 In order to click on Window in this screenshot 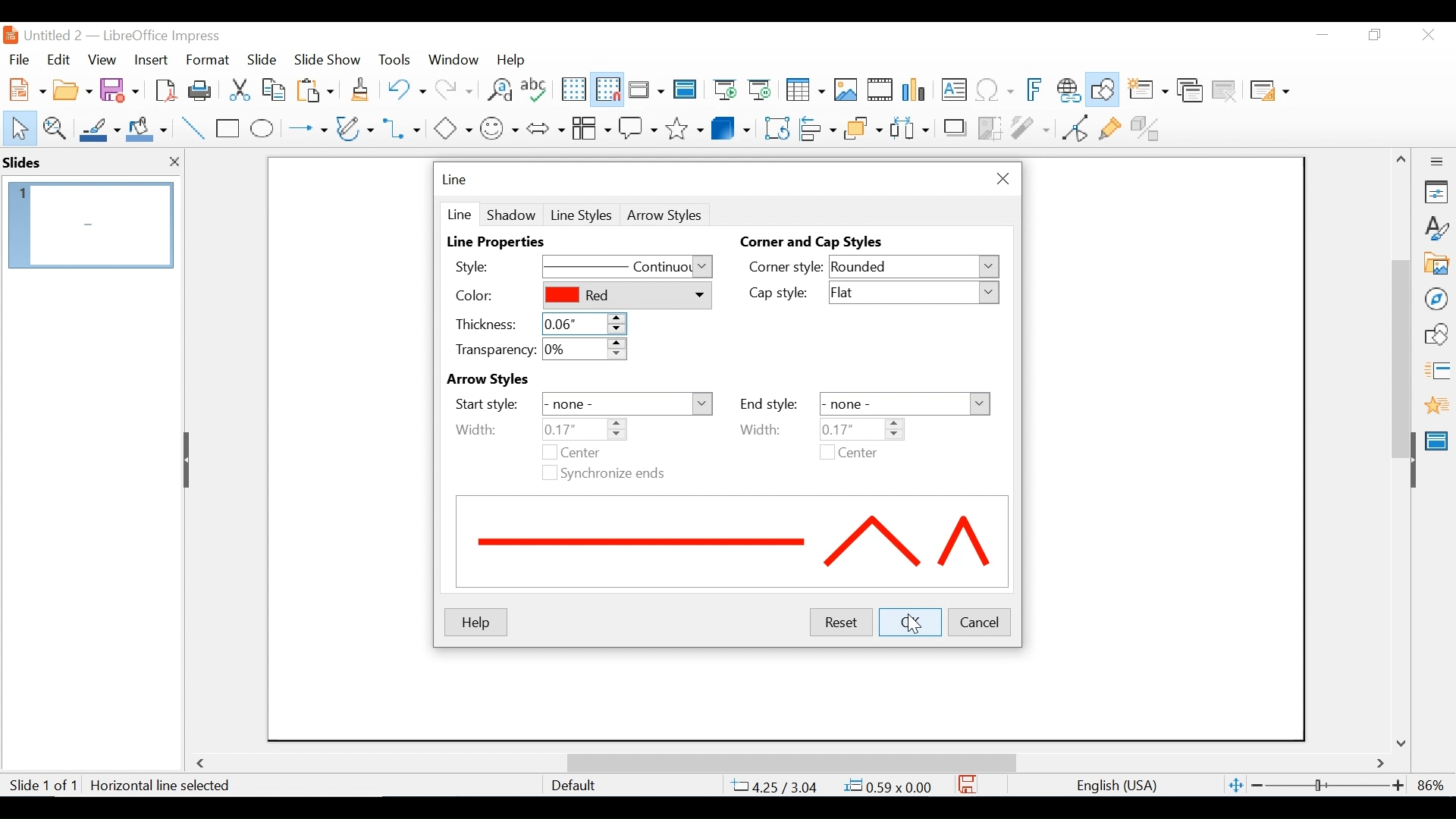, I will do `click(453, 59)`.